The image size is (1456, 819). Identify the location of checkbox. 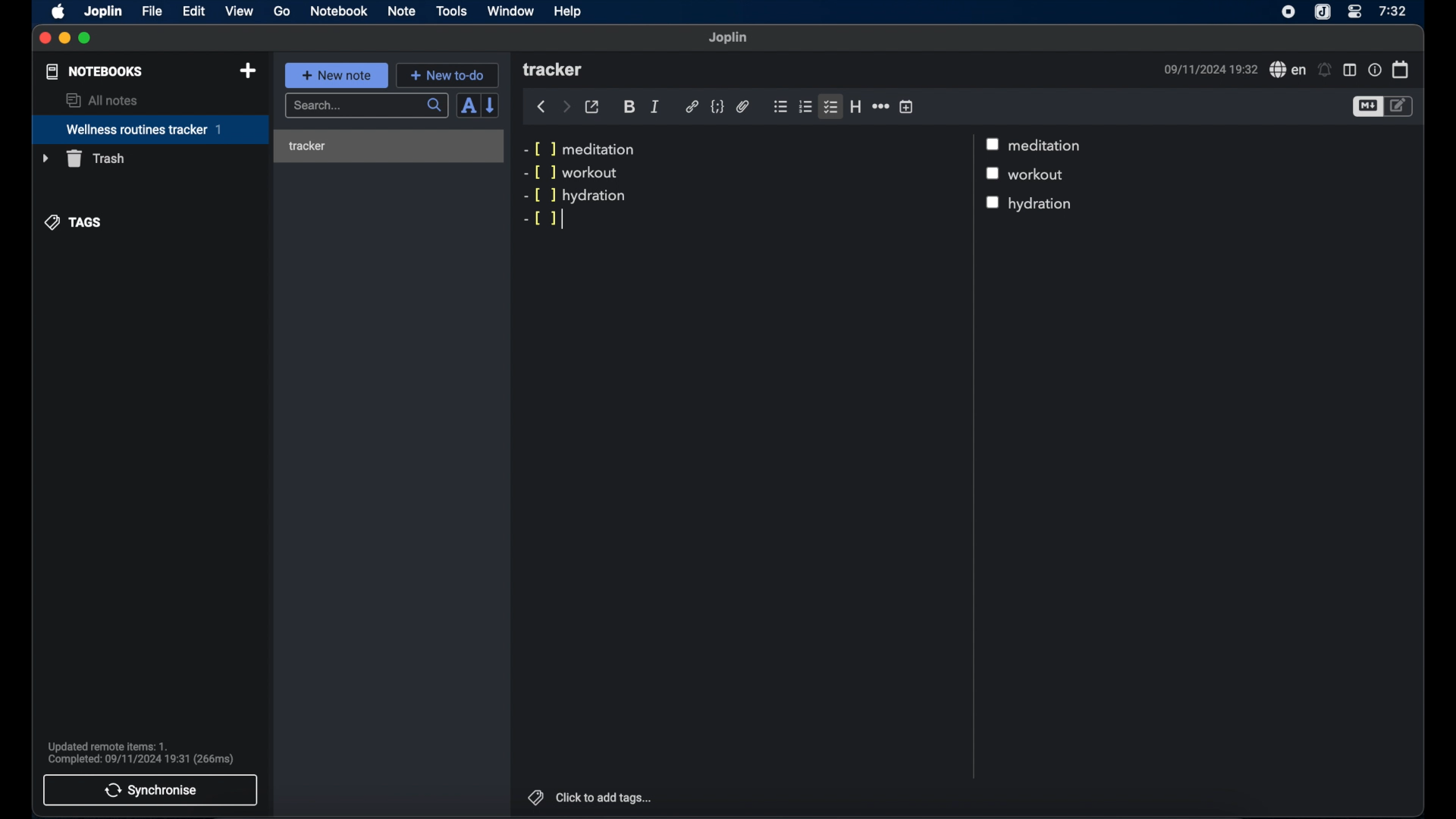
(996, 174).